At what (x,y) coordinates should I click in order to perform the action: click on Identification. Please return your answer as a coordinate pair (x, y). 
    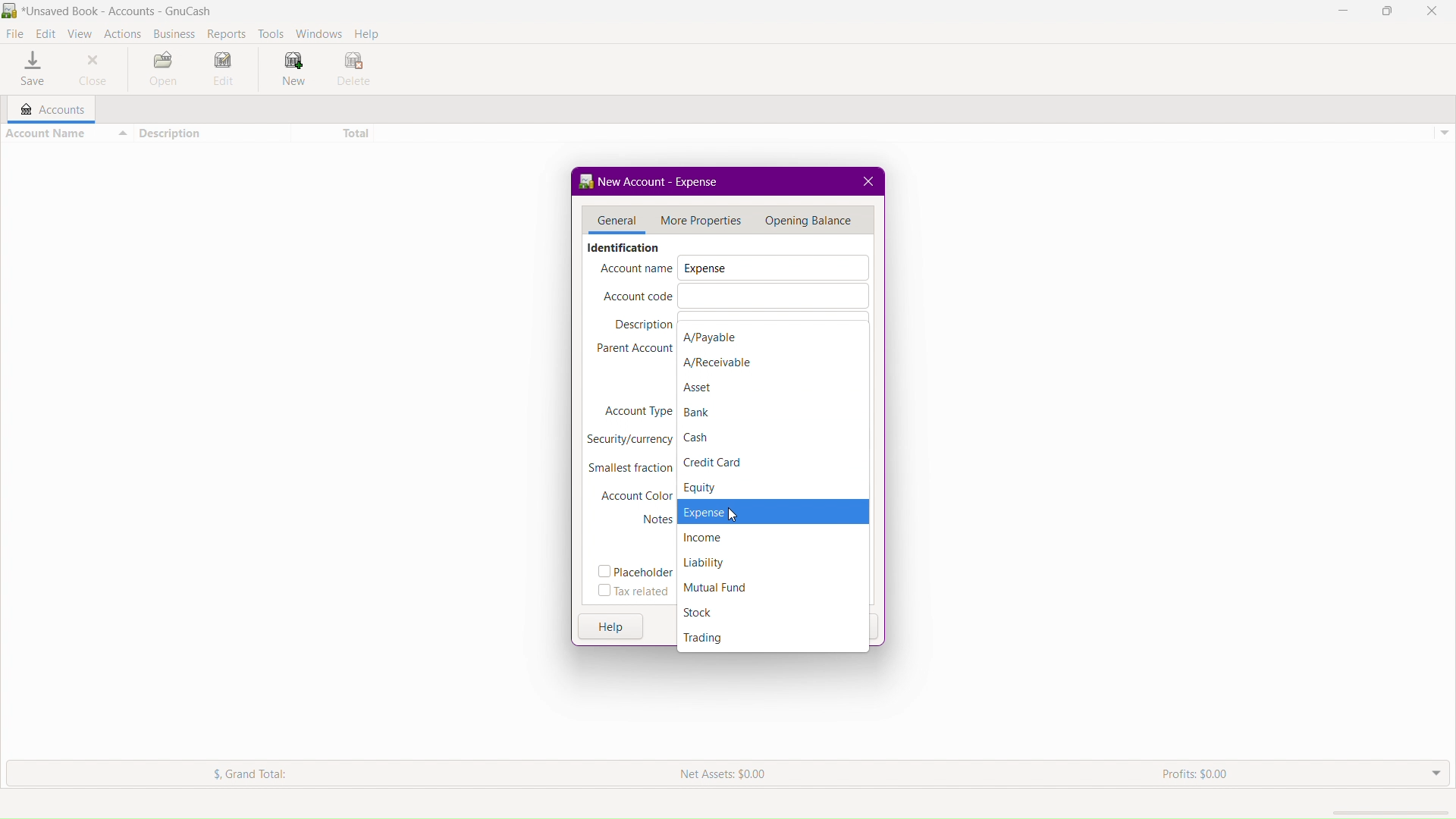
    Looking at the image, I should click on (622, 247).